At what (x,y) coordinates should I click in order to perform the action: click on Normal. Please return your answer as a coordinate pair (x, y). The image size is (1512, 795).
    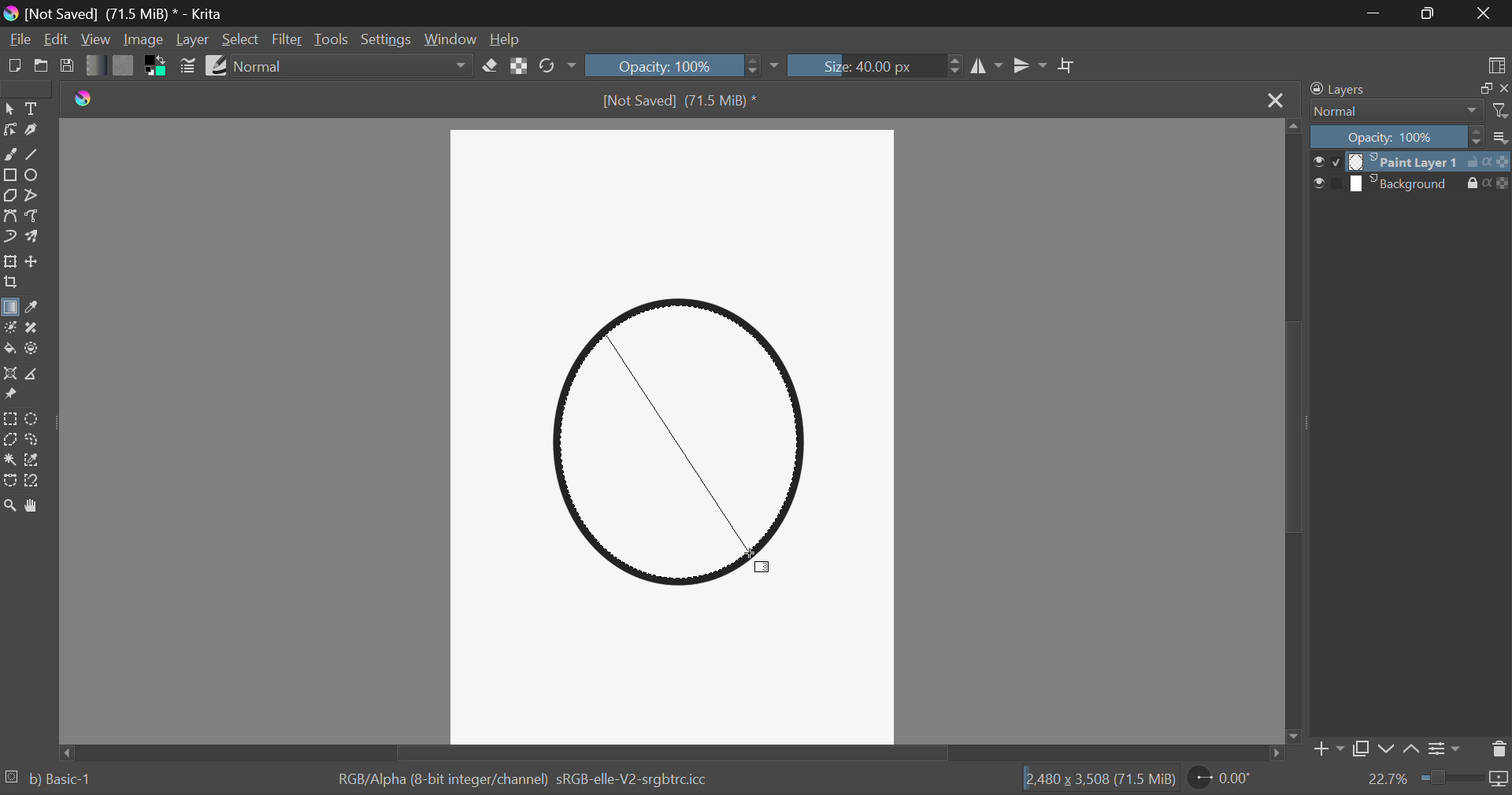
    Looking at the image, I should click on (1395, 112).